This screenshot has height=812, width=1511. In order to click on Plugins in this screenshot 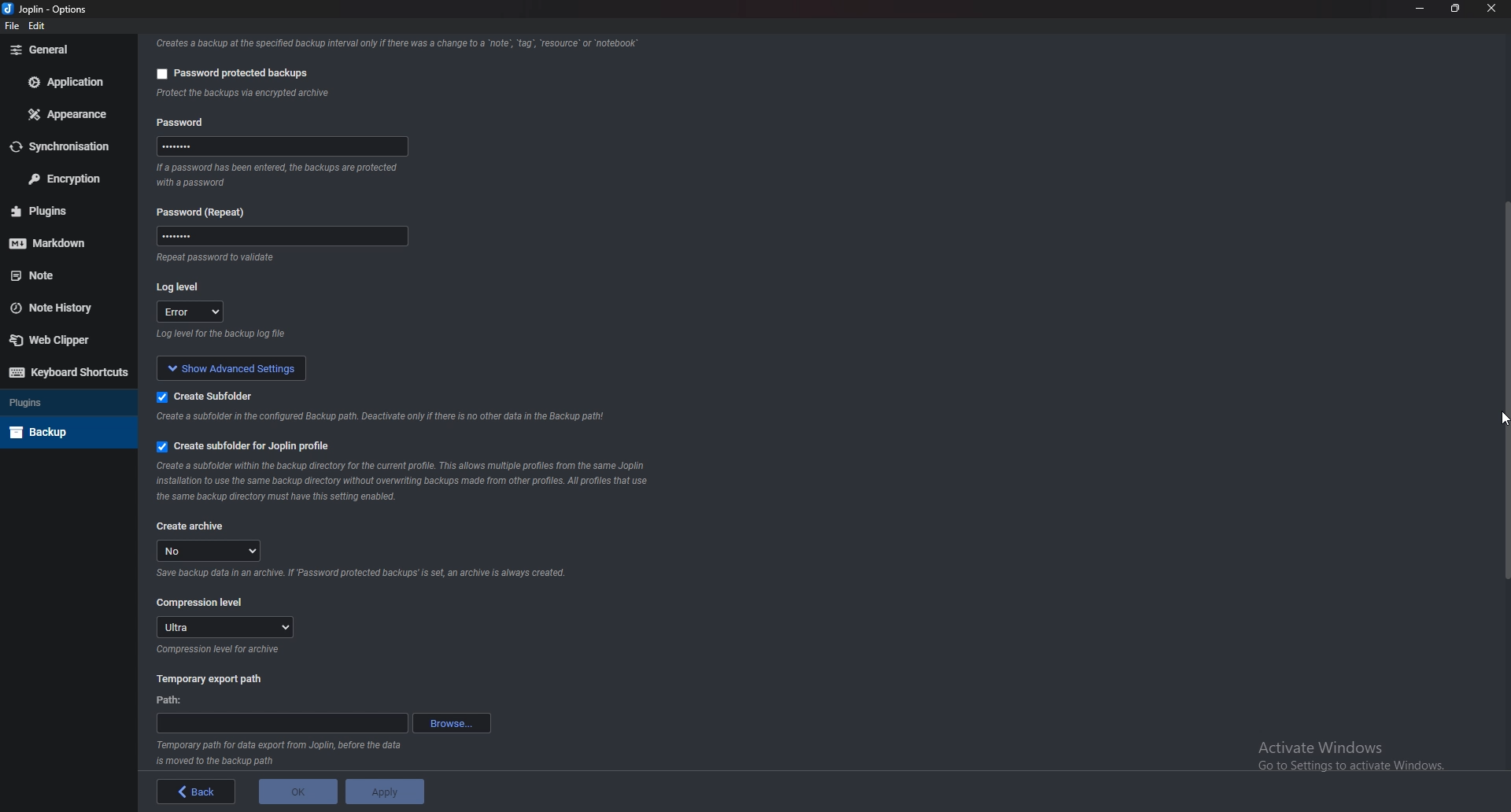, I will do `click(65, 403)`.